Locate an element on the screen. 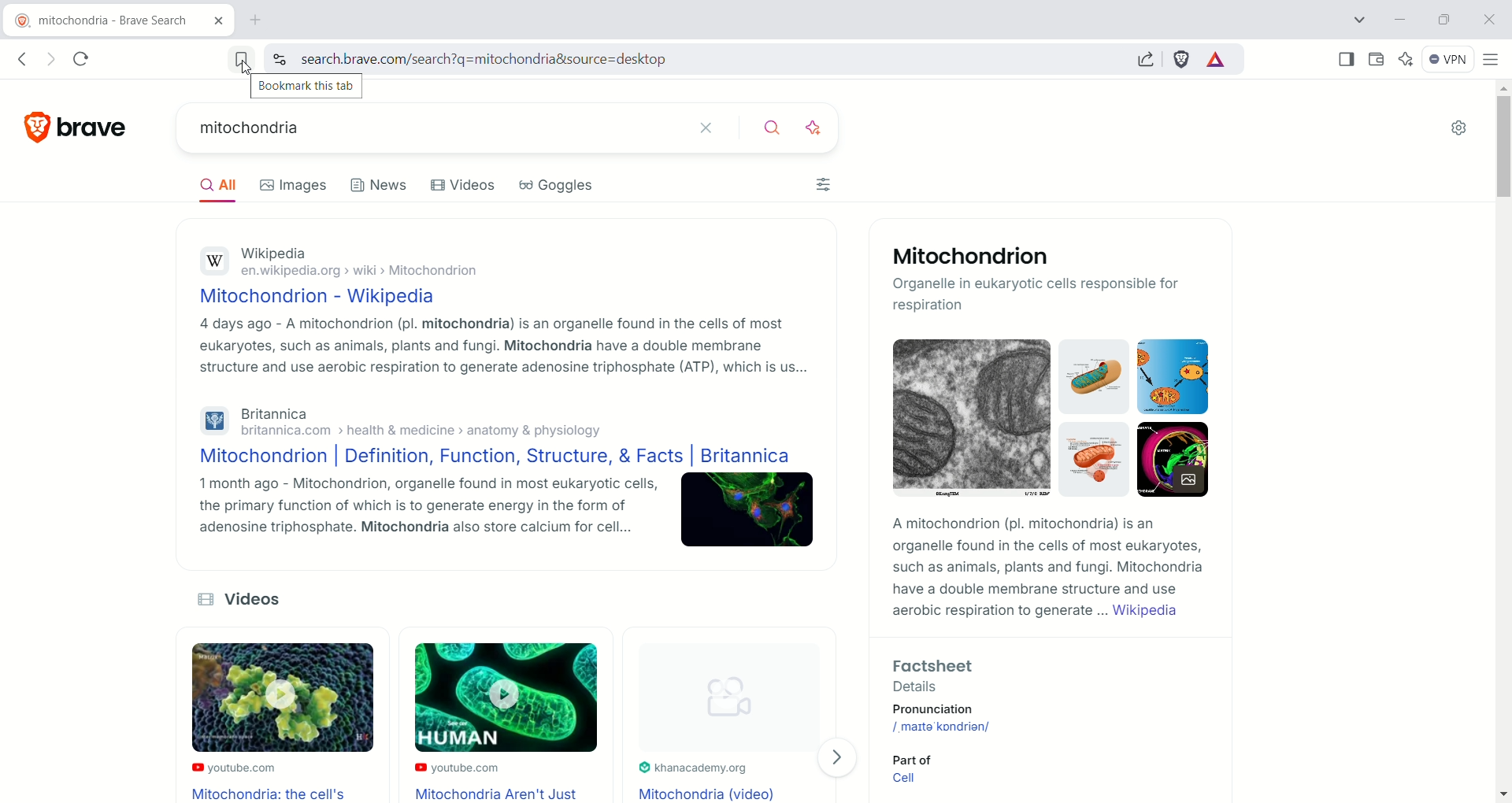 This screenshot has width=1512, height=803. Mitochondria (Video) is located at coordinates (710, 793).